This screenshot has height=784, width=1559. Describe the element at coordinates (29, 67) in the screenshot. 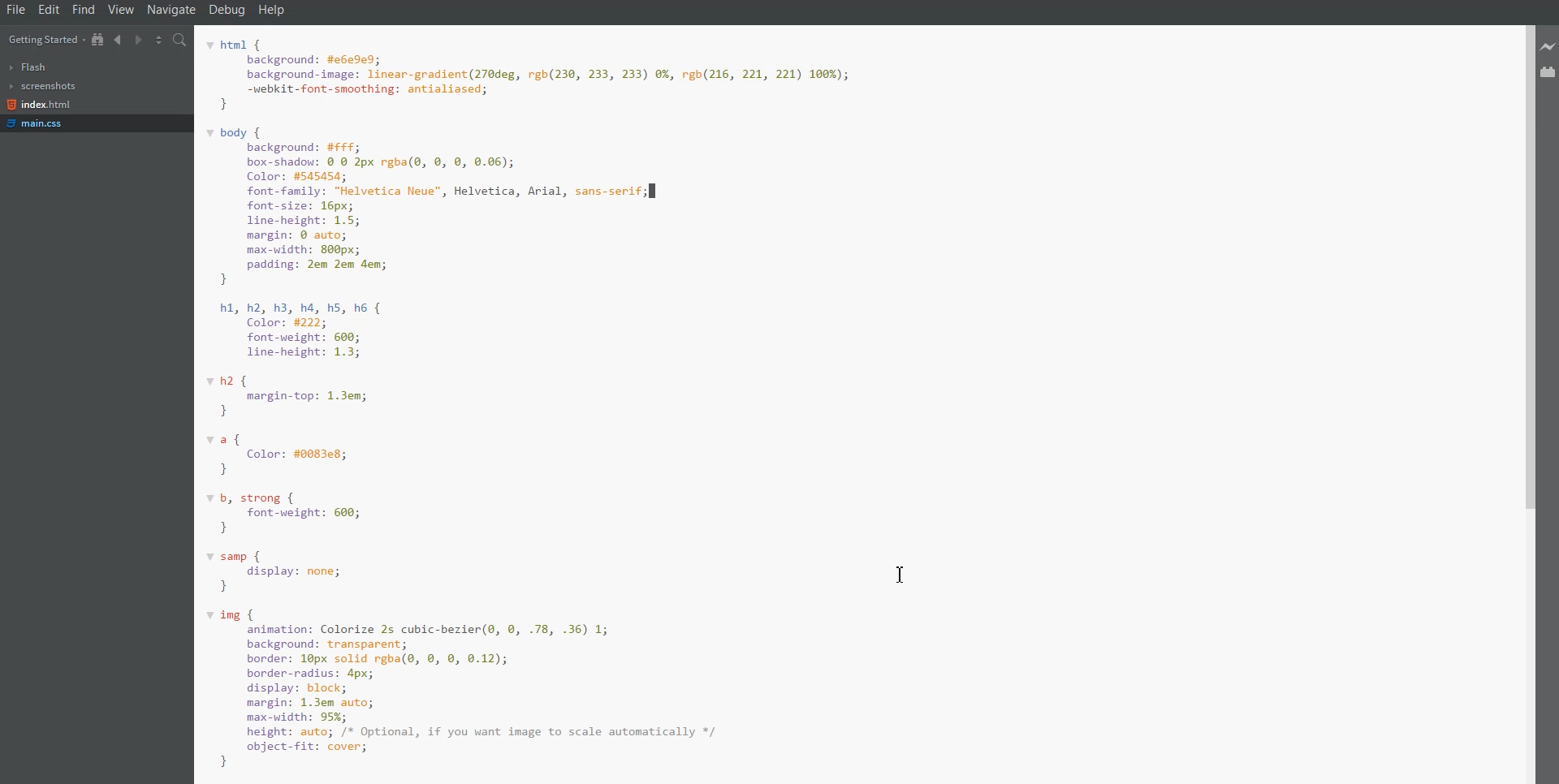

I see `Flash` at that location.